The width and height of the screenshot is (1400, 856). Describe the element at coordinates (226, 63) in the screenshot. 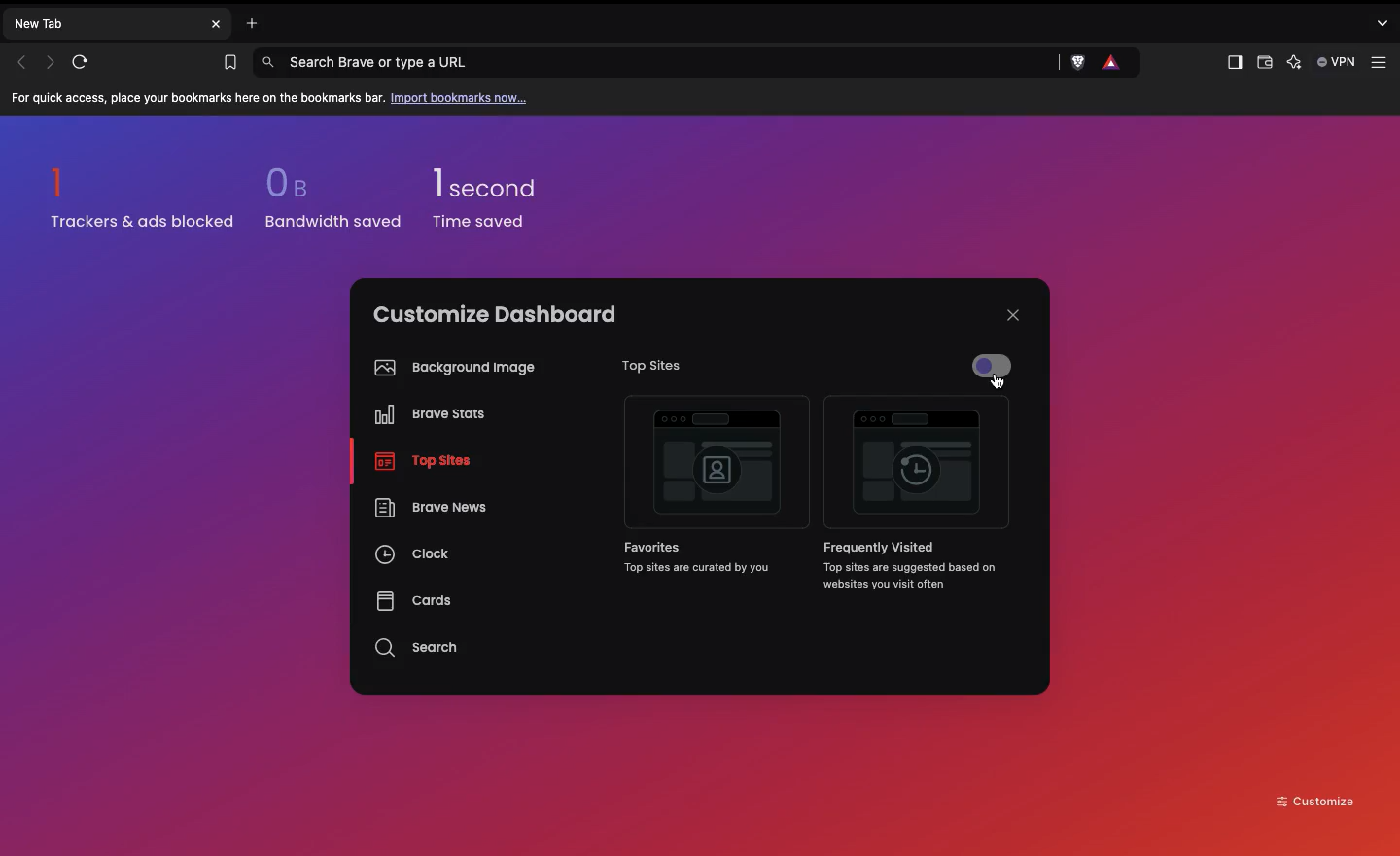

I see `Bookmarks` at that location.